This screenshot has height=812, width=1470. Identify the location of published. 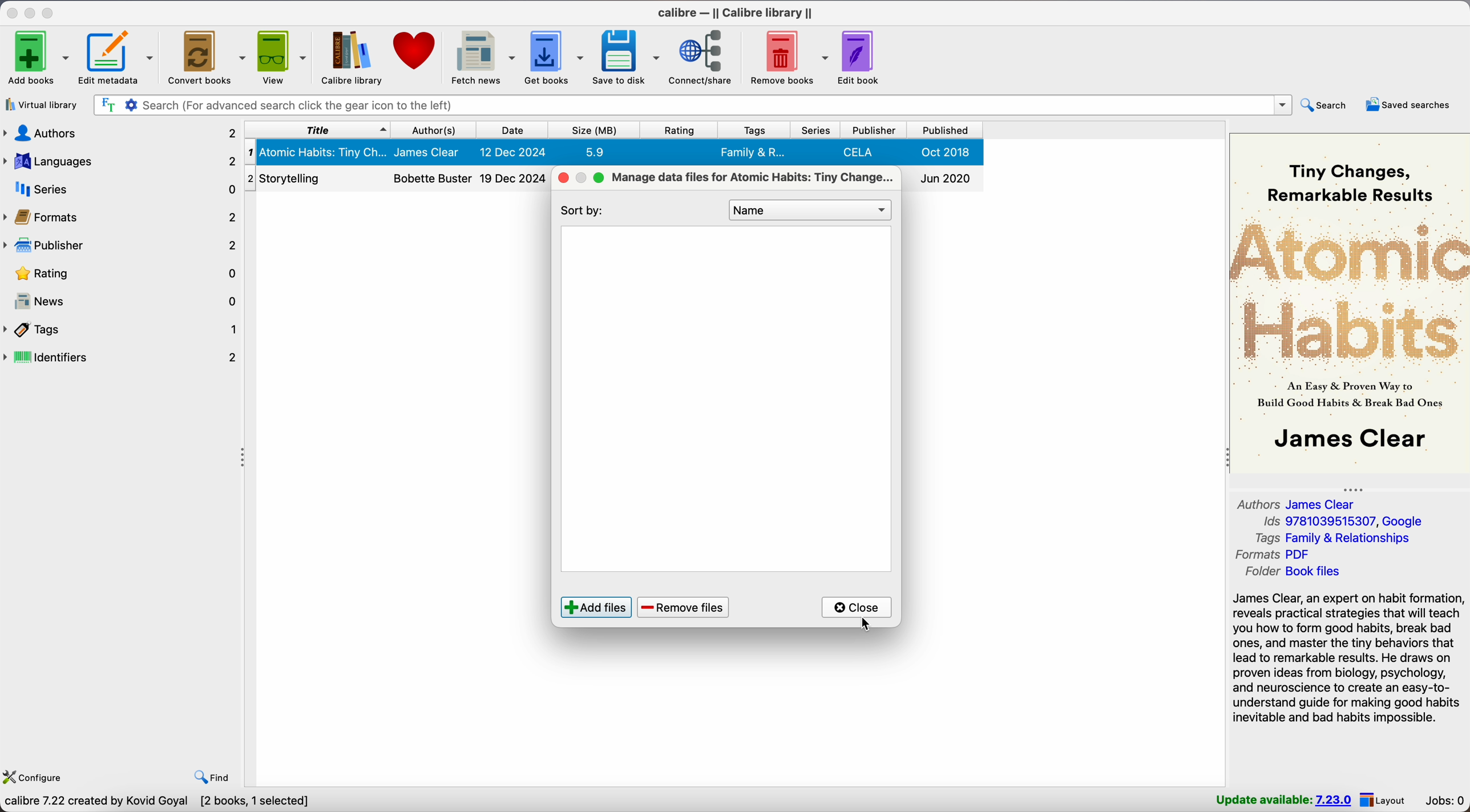
(947, 130).